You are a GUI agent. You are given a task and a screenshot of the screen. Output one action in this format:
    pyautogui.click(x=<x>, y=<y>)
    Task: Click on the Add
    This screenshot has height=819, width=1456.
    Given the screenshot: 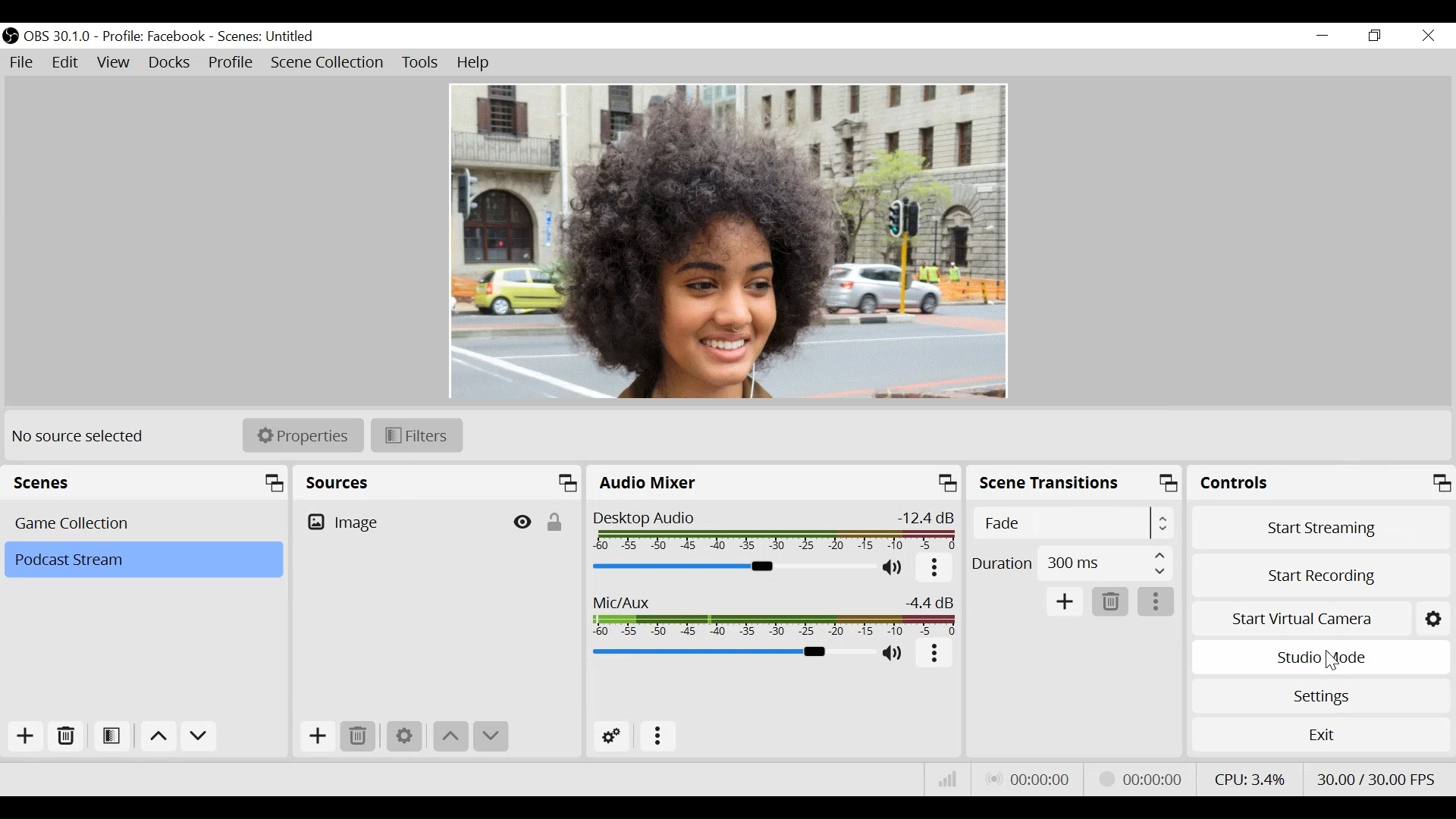 What is the action you would take?
    pyautogui.click(x=319, y=736)
    